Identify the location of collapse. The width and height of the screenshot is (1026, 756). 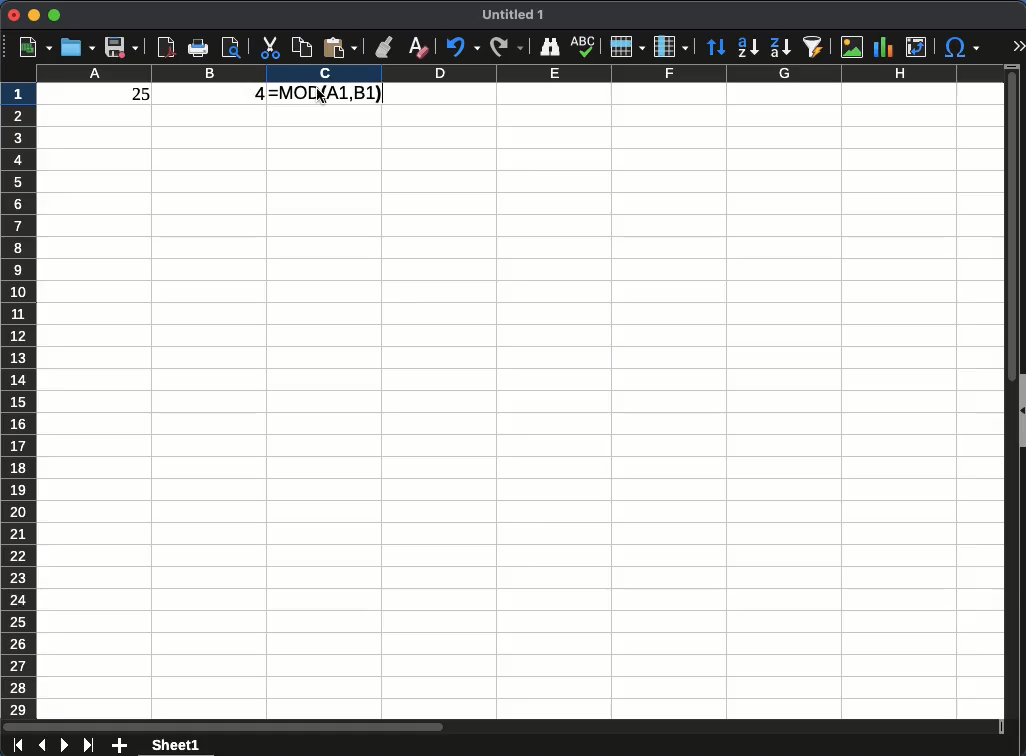
(1020, 410).